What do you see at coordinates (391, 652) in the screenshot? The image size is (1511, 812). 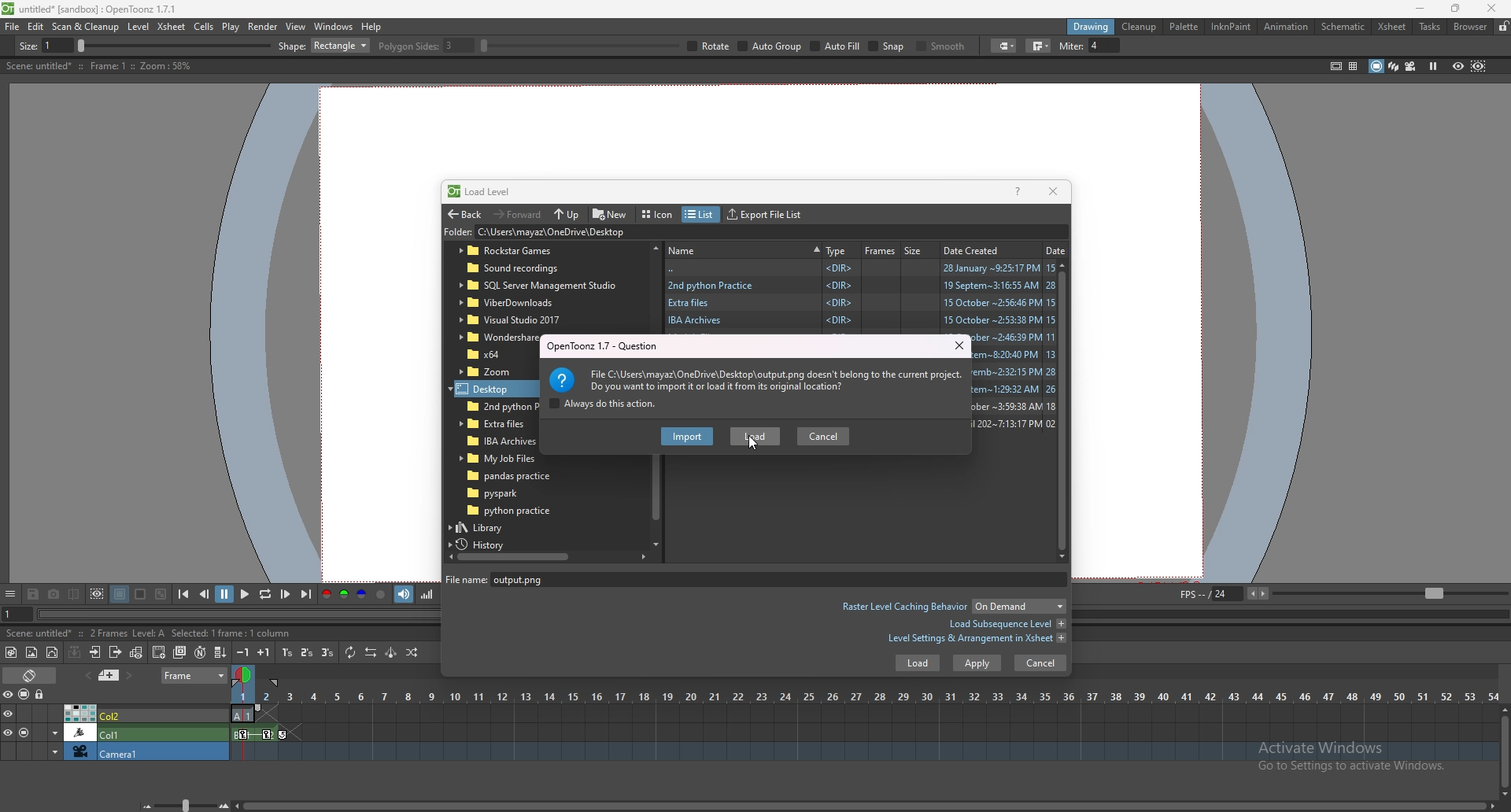 I see `swing` at bounding box center [391, 652].